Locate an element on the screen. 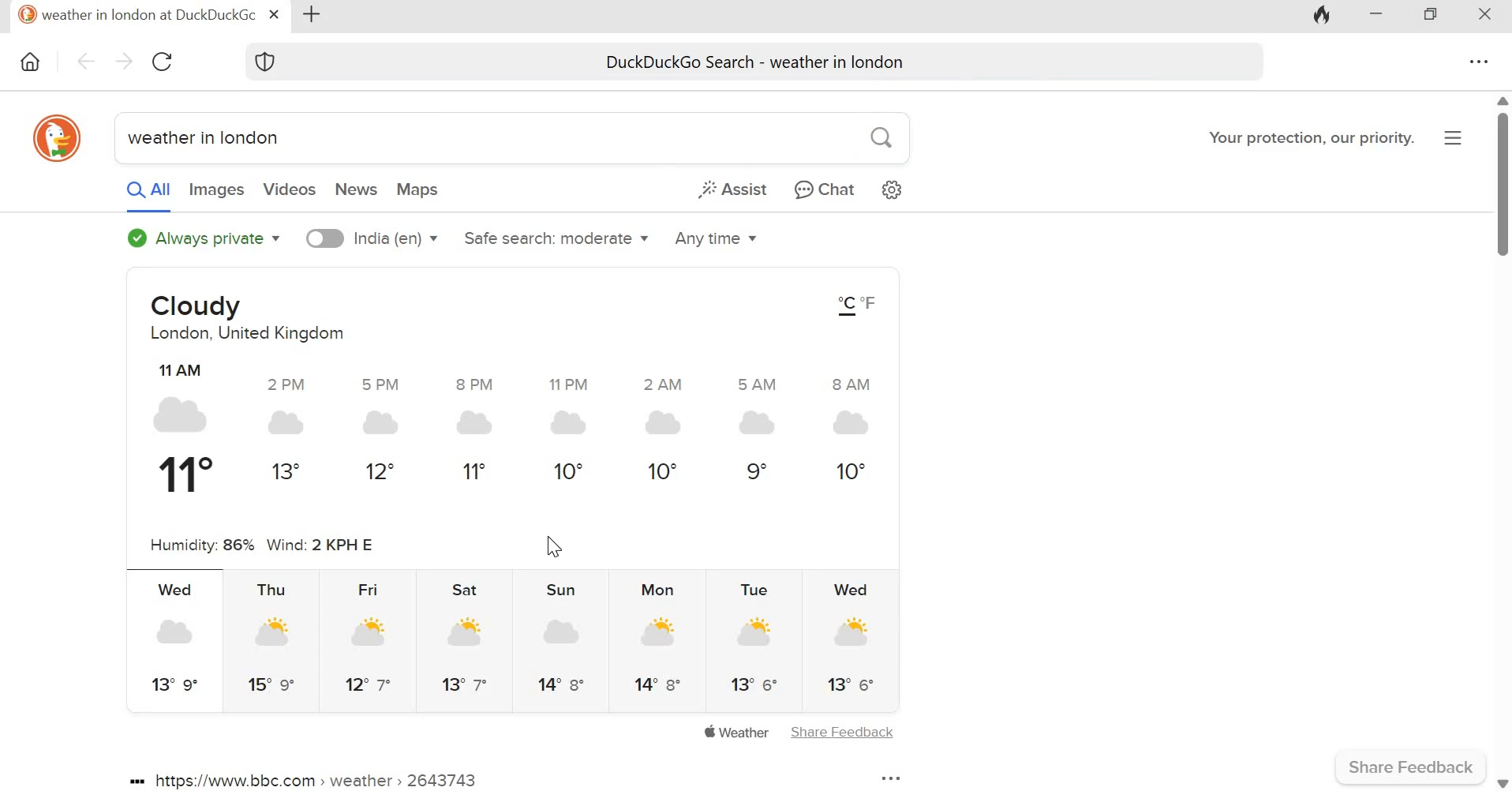 This screenshot has height=791, width=1512. Home is located at coordinates (31, 62).